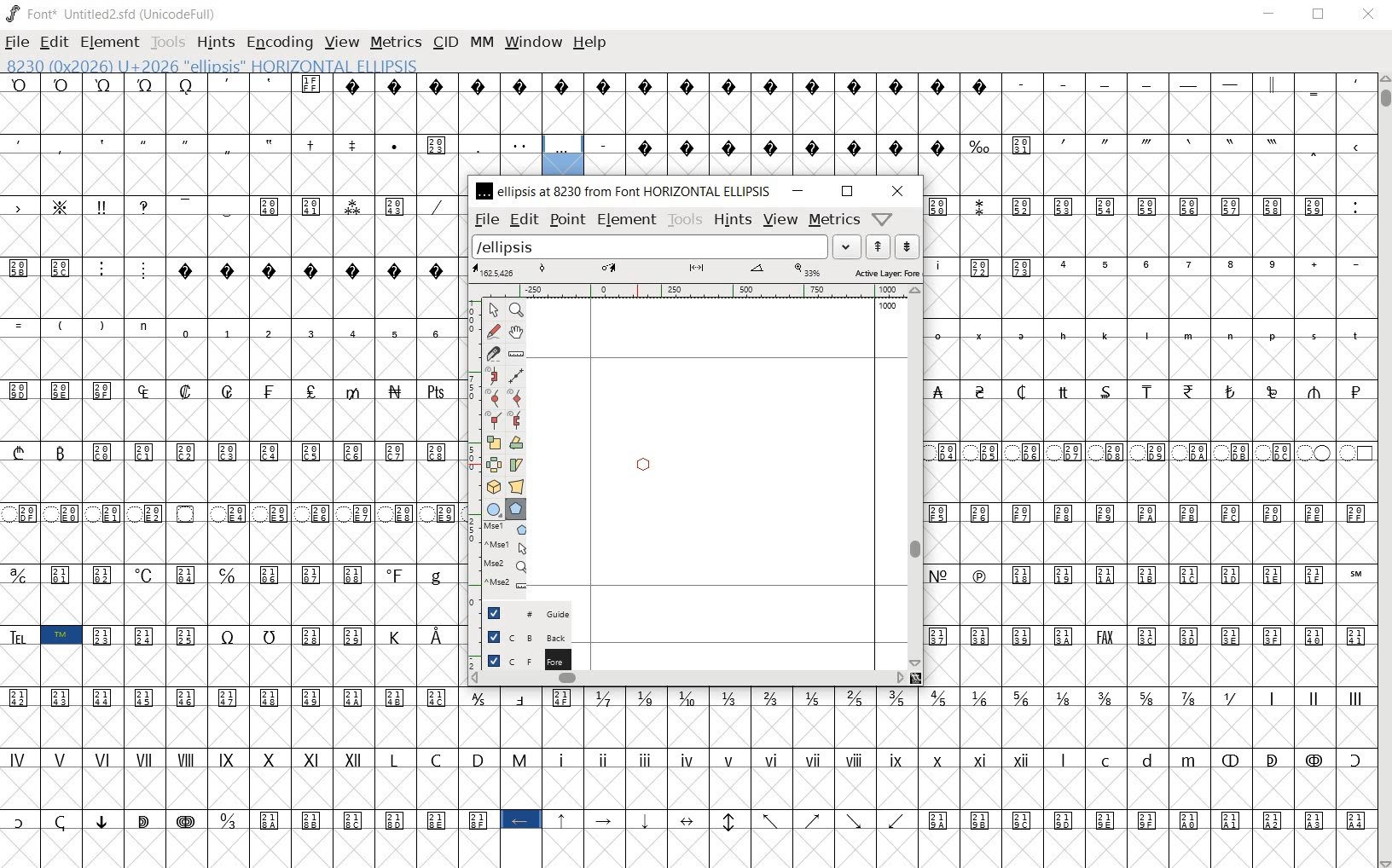  I want to click on measure a distance, angle between points, so click(516, 352).